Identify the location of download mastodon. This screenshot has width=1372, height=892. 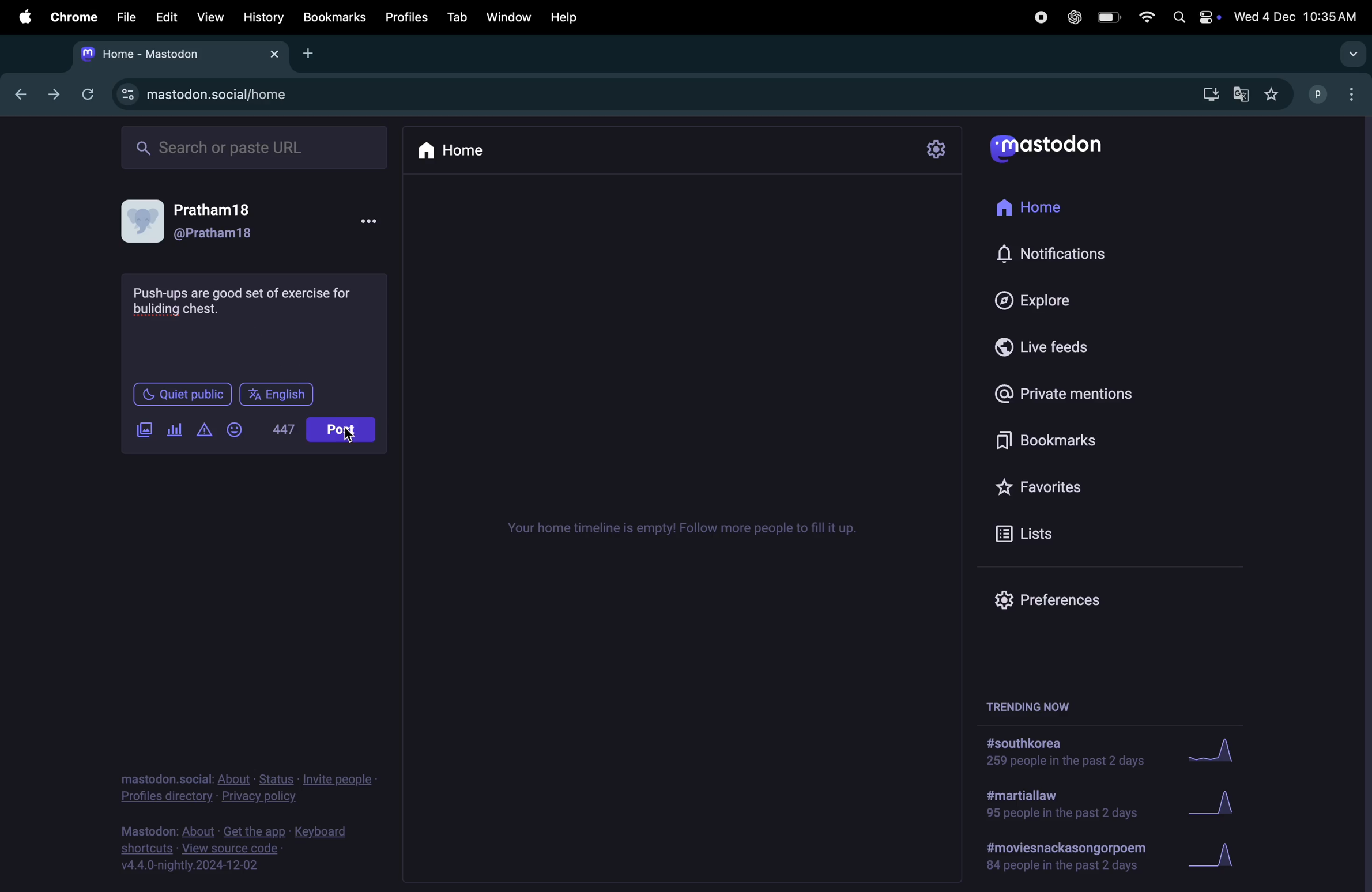
(1206, 95).